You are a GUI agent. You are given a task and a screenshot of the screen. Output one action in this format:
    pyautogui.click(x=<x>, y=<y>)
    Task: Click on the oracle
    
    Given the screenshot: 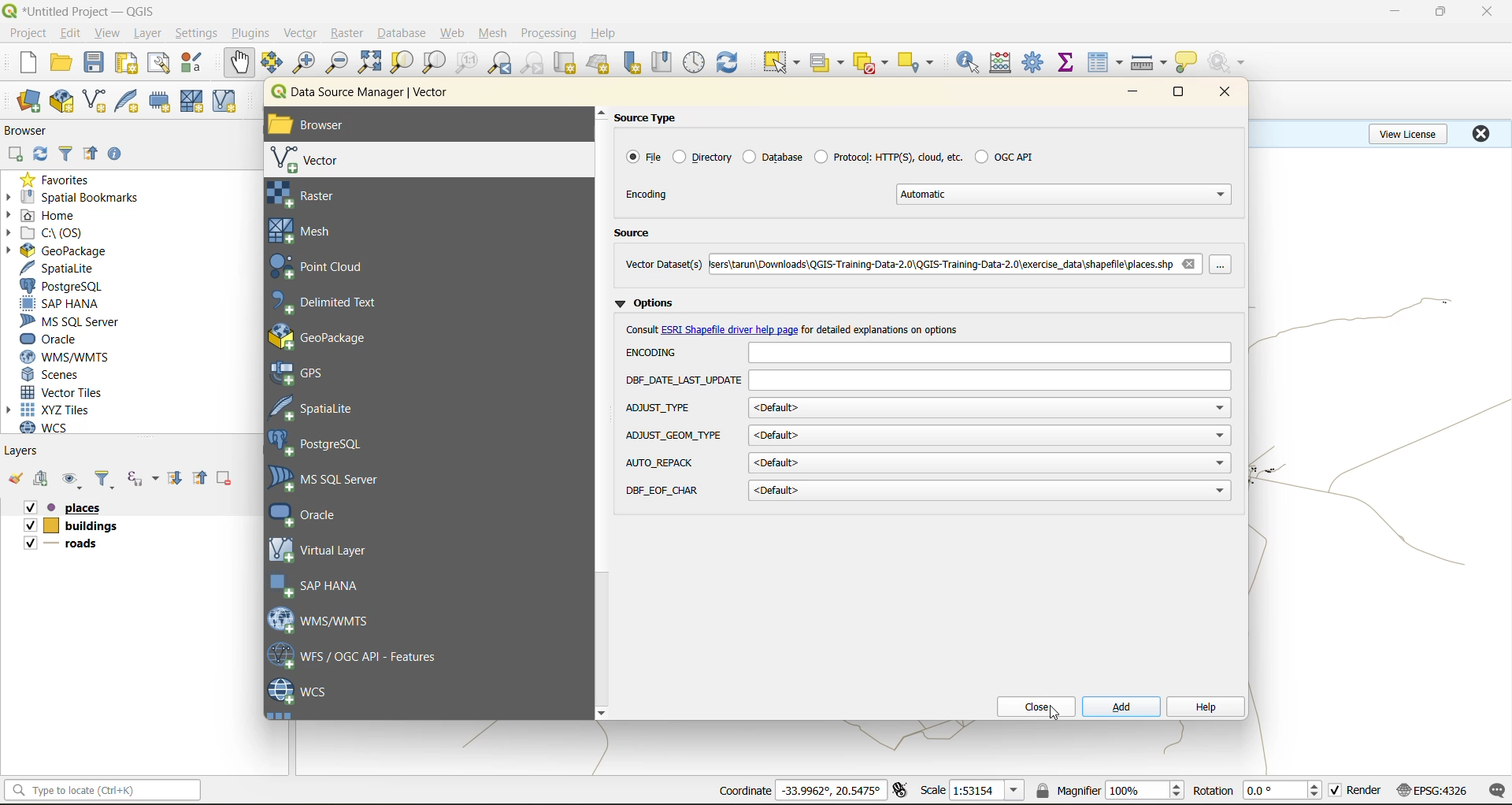 What is the action you would take?
    pyautogui.click(x=55, y=339)
    